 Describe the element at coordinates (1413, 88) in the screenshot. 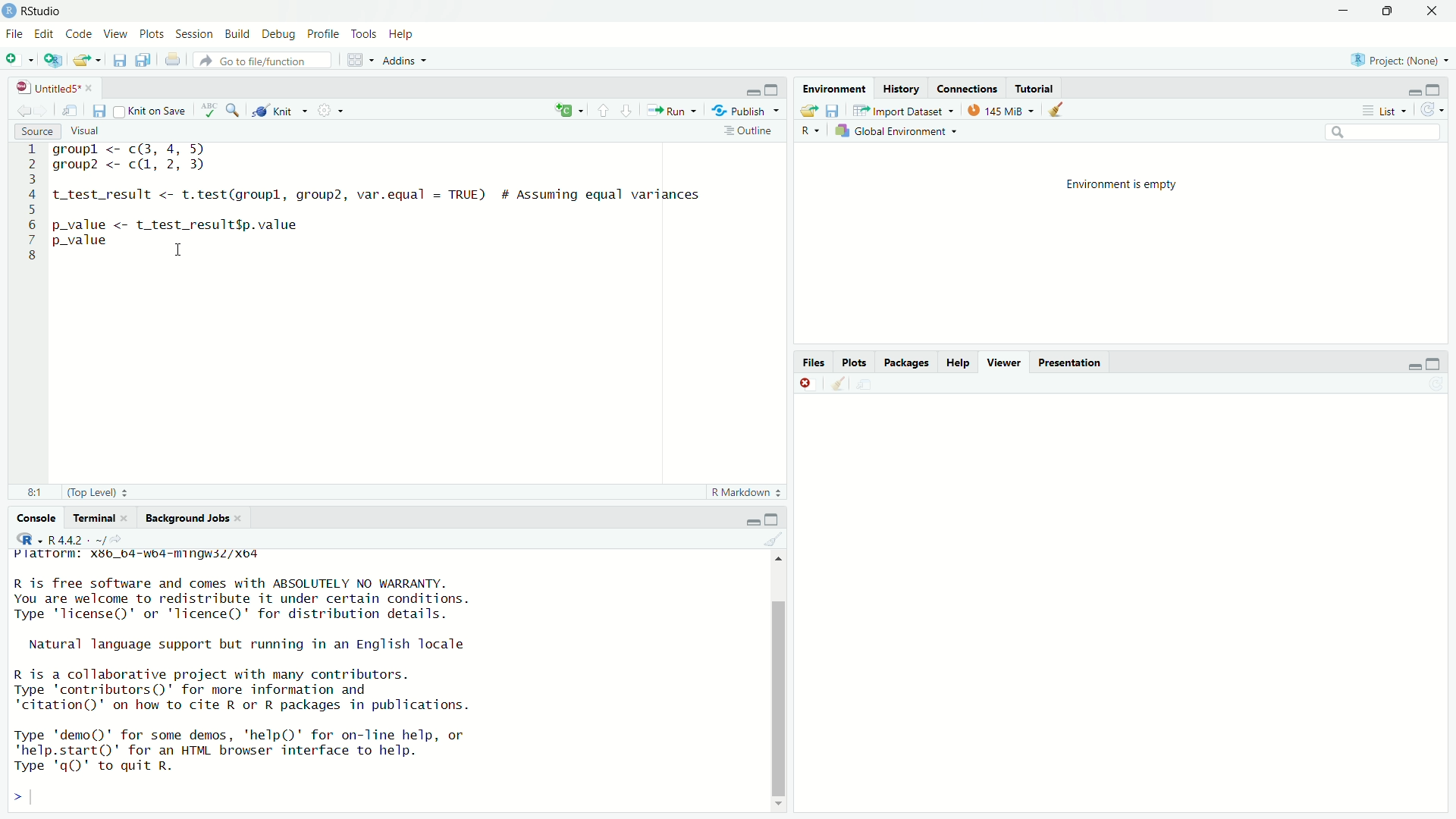

I see `minimise` at that location.